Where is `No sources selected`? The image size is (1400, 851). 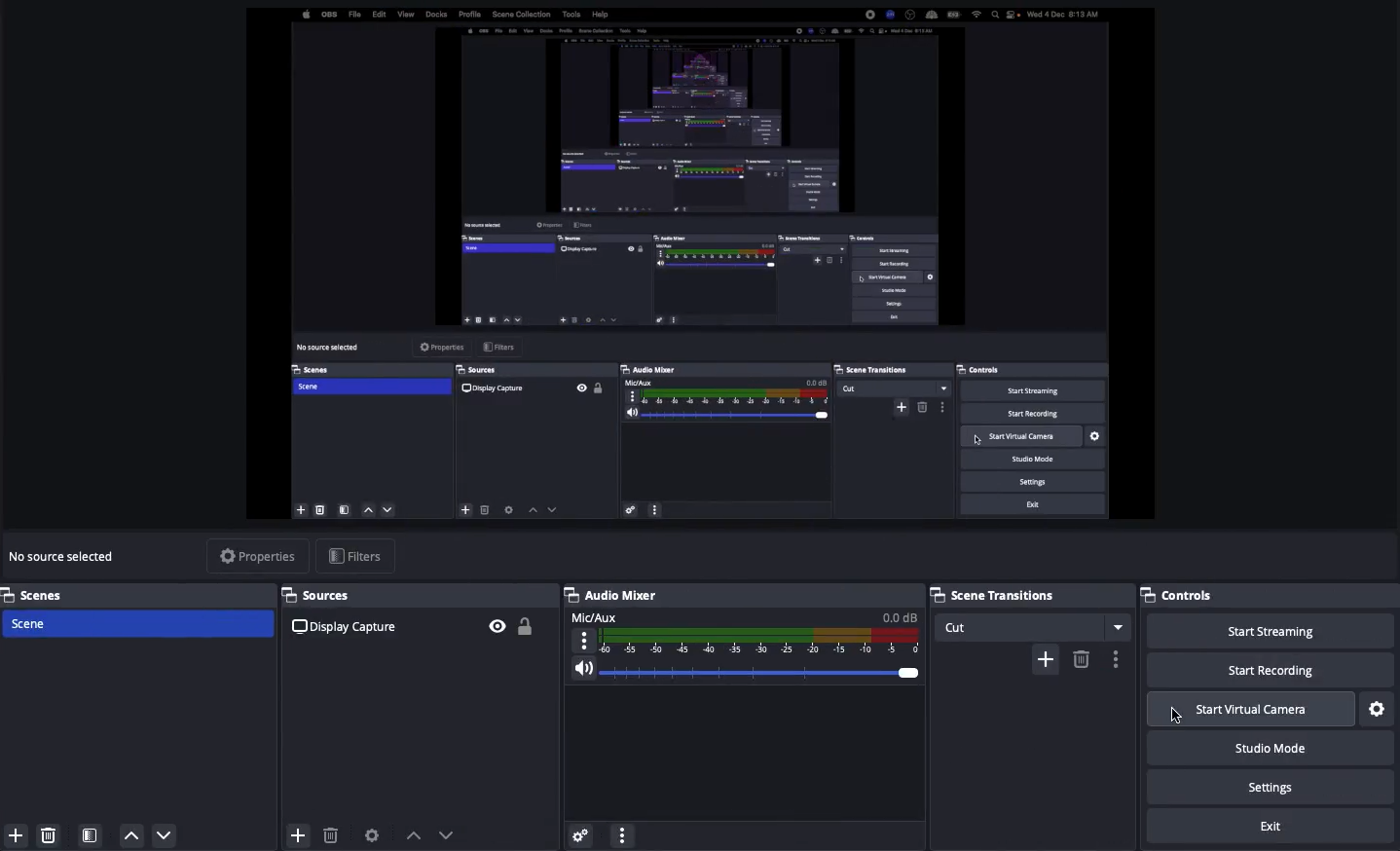
No sources selected is located at coordinates (65, 557).